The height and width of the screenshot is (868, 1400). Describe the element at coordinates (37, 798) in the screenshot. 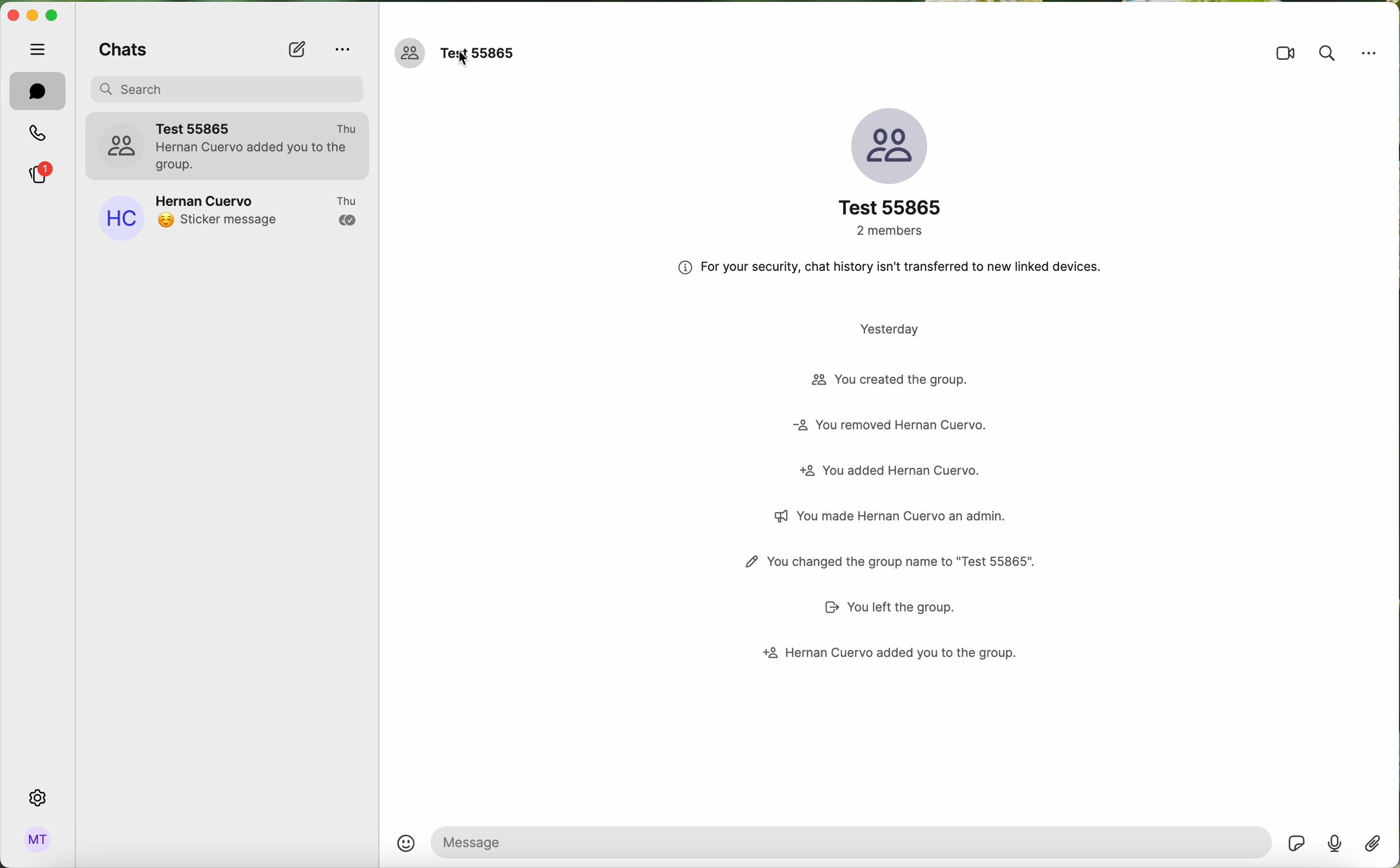

I see `settings` at that location.